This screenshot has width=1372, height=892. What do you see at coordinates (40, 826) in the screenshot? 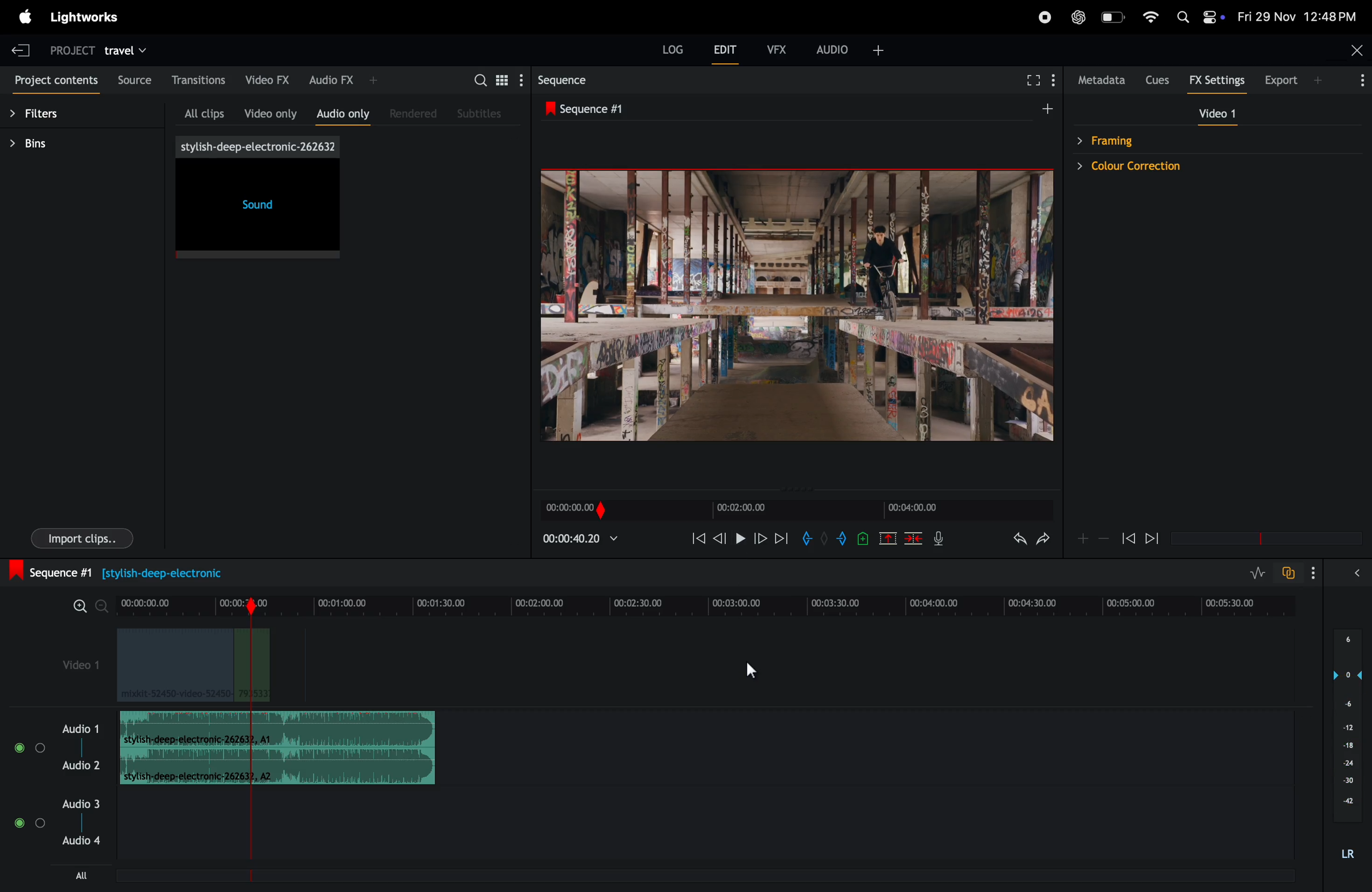
I see `Toggle` at bounding box center [40, 826].